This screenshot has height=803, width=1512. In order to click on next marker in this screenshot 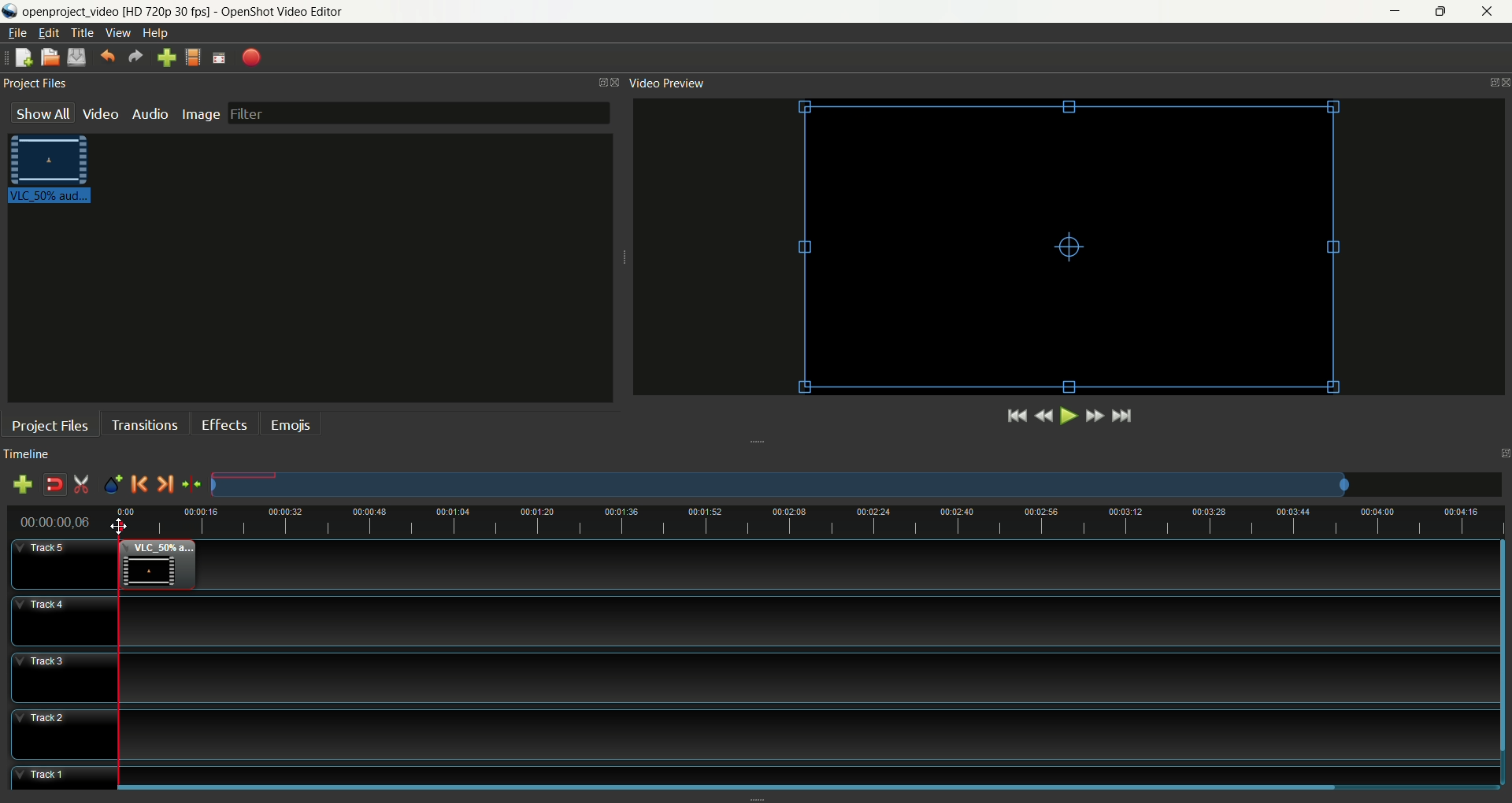, I will do `click(165, 485)`.